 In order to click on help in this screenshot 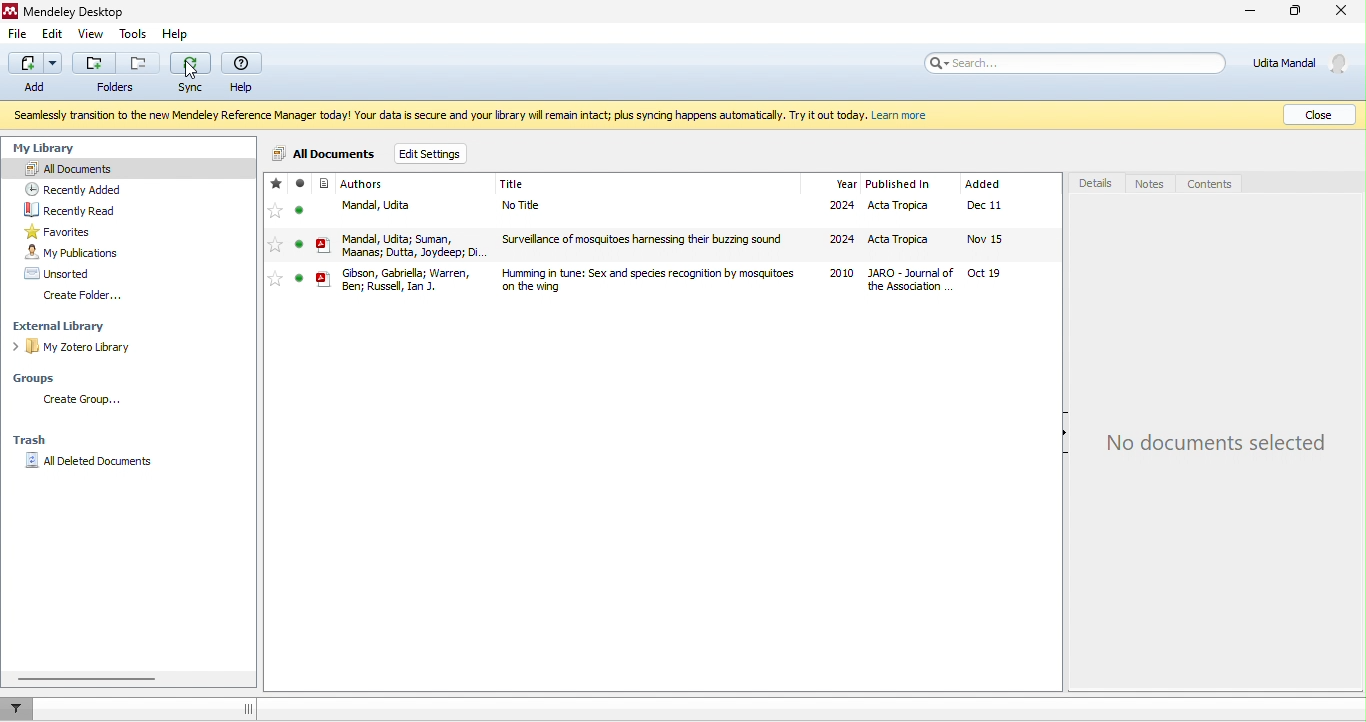, I will do `click(177, 34)`.